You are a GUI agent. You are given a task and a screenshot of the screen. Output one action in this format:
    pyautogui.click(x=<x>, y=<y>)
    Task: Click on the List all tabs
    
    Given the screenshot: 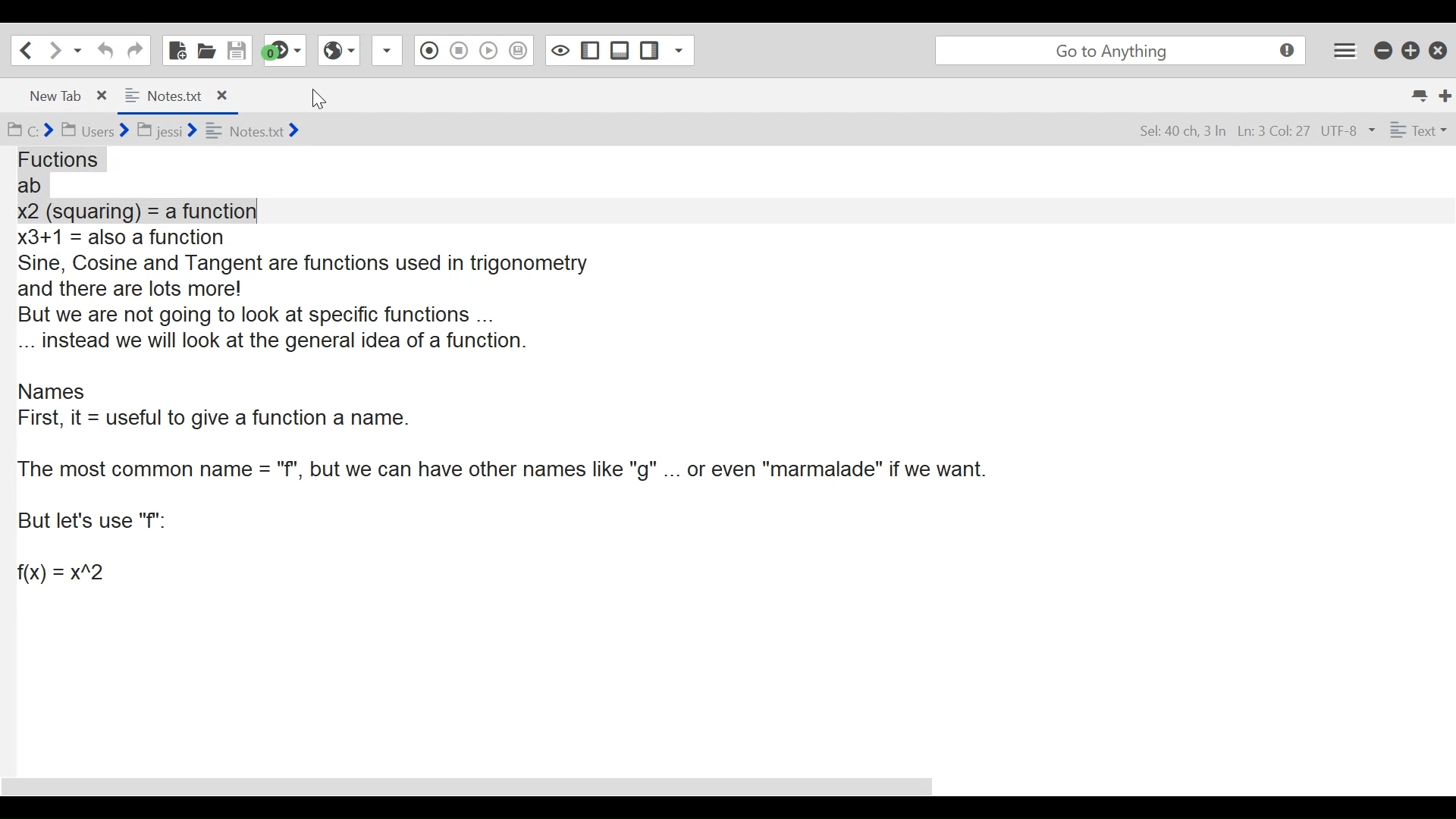 What is the action you would take?
    pyautogui.click(x=1419, y=93)
    